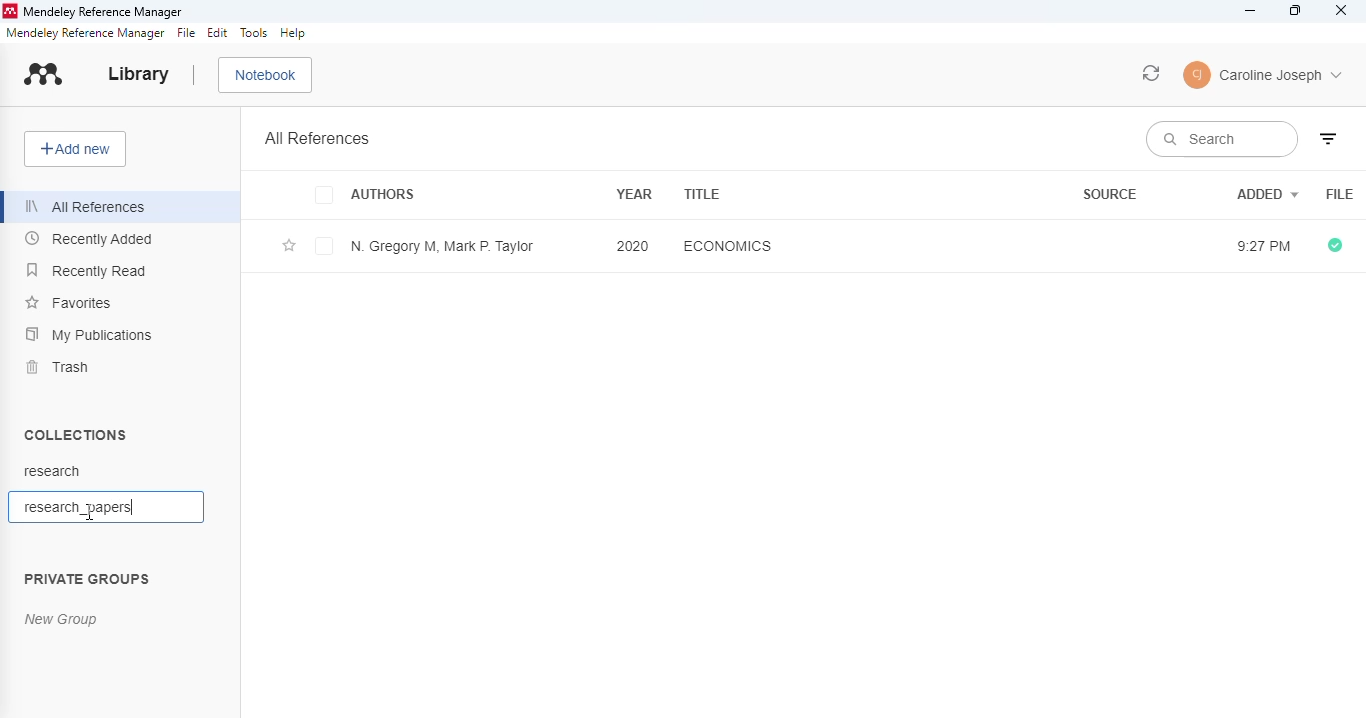 This screenshot has width=1366, height=718. What do you see at coordinates (102, 12) in the screenshot?
I see `mendeley reference manager` at bounding box center [102, 12].